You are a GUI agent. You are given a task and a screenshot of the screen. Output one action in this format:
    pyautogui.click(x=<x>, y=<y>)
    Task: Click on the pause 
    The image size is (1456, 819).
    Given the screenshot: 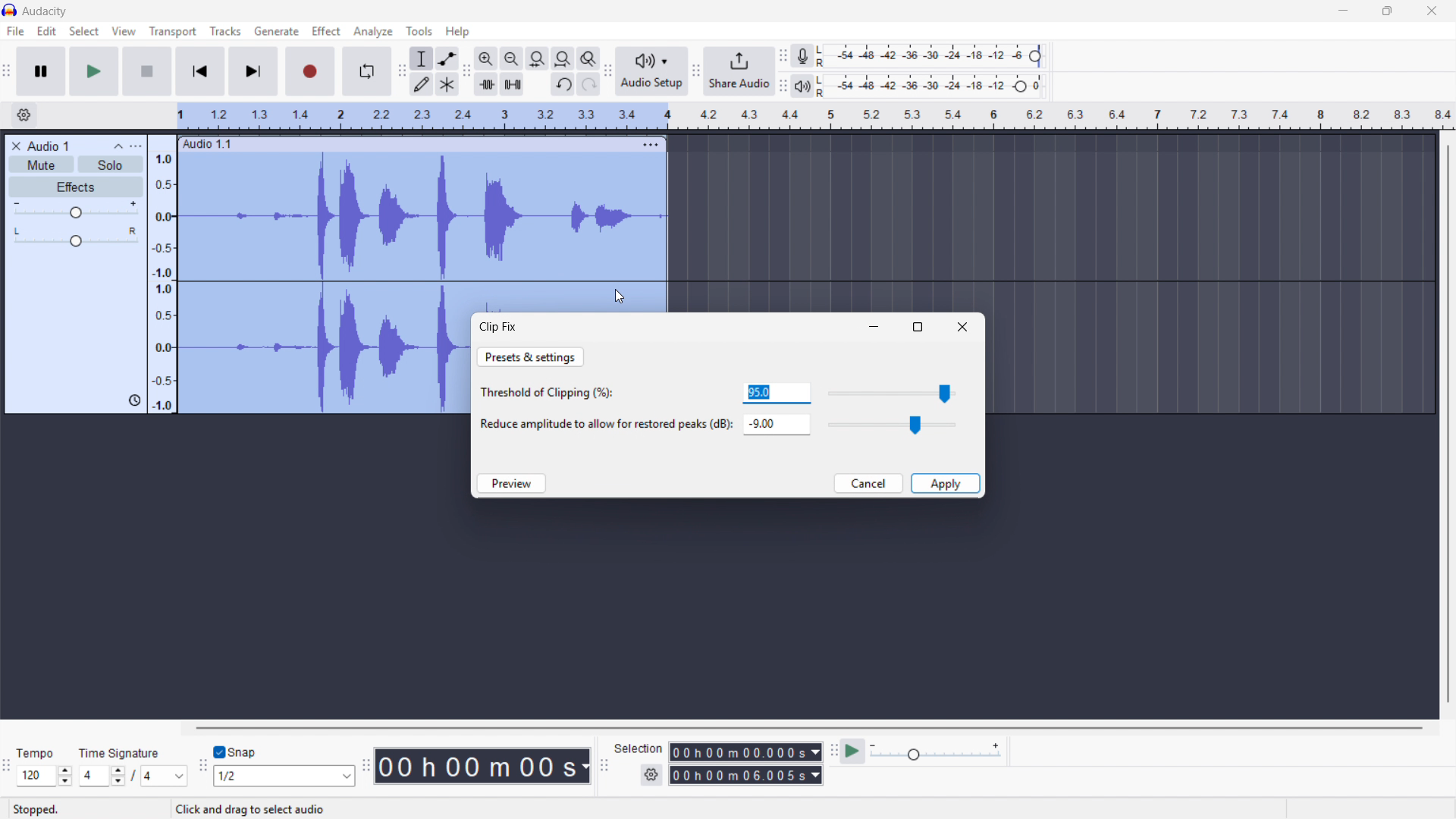 What is the action you would take?
    pyautogui.click(x=40, y=71)
    